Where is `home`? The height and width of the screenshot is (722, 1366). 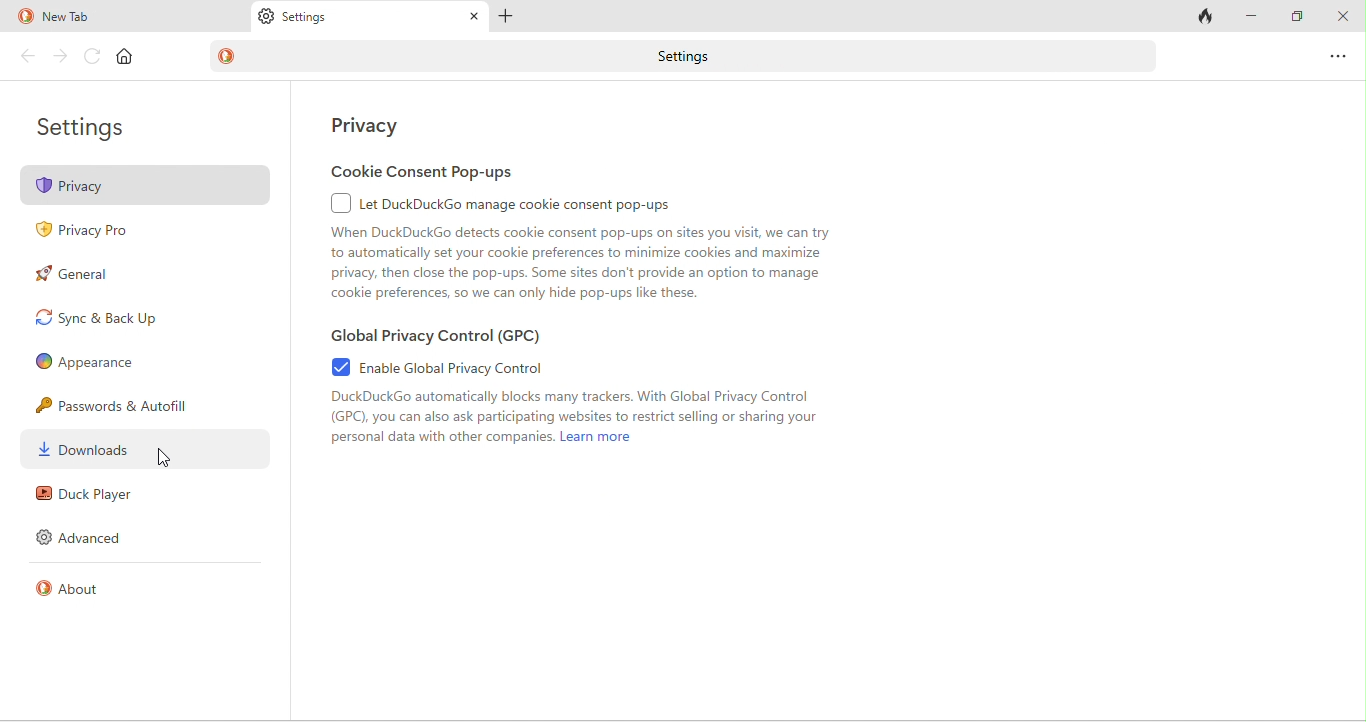
home is located at coordinates (125, 58).